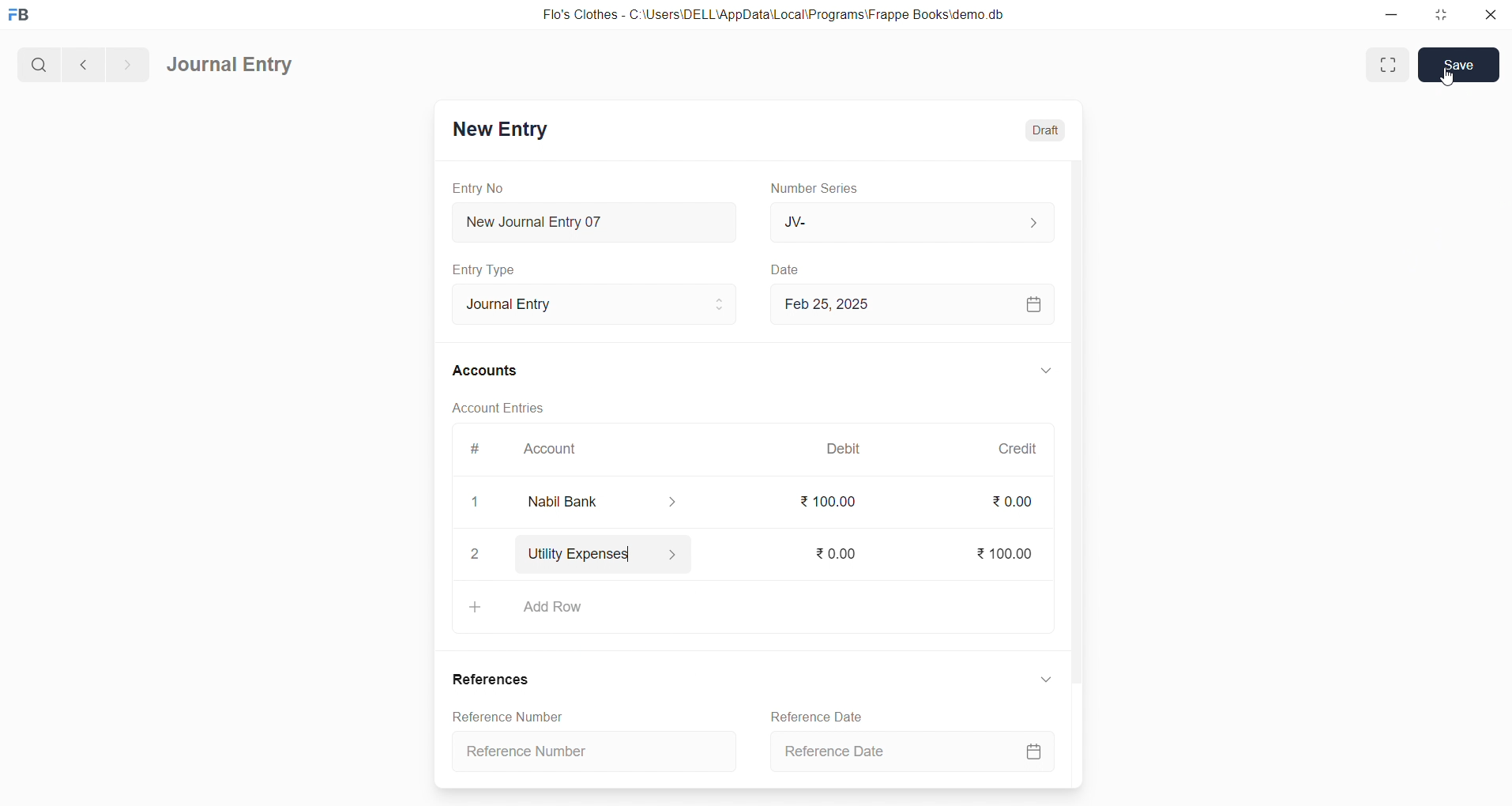 This screenshot has width=1512, height=806. Describe the element at coordinates (486, 372) in the screenshot. I see `Accounts` at that location.